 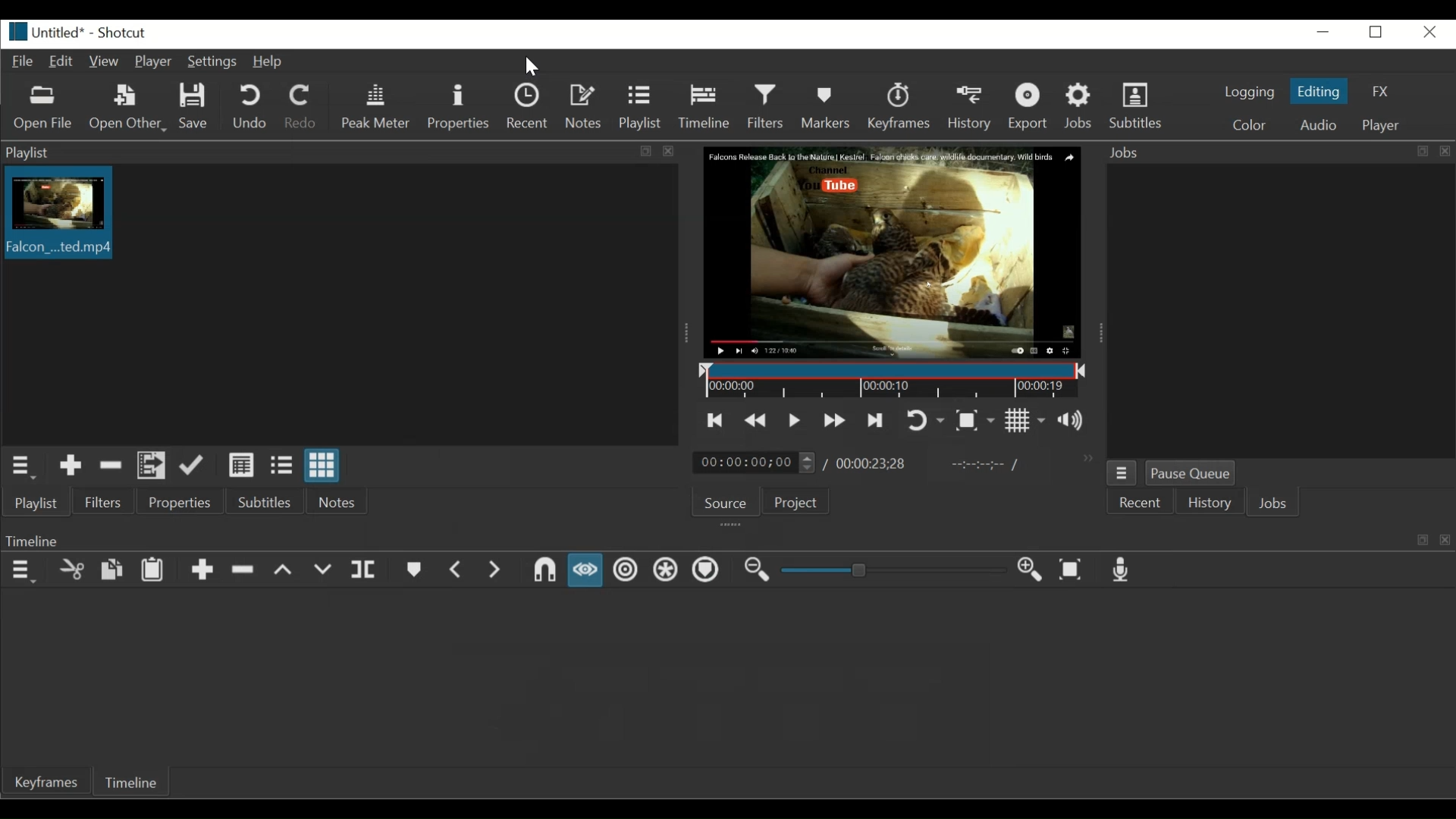 What do you see at coordinates (1211, 503) in the screenshot?
I see `History` at bounding box center [1211, 503].